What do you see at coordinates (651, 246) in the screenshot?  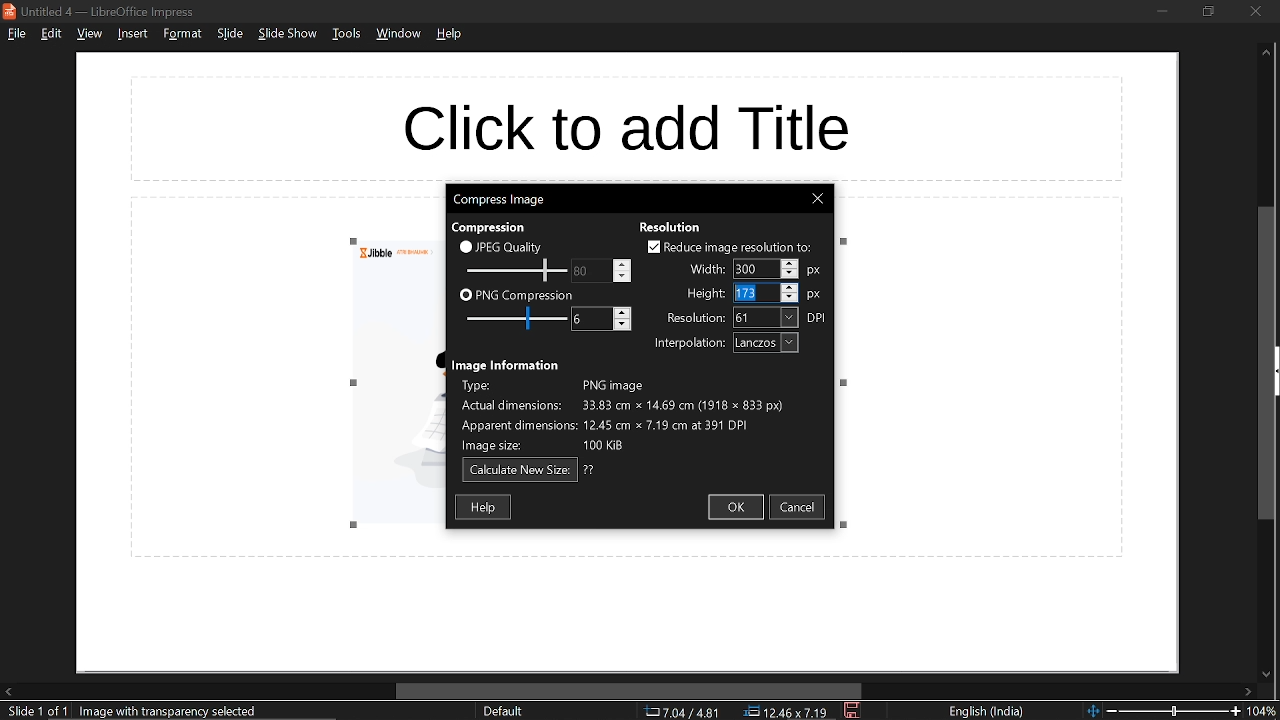 I see `checkbox` at bounding box center [651, 246].